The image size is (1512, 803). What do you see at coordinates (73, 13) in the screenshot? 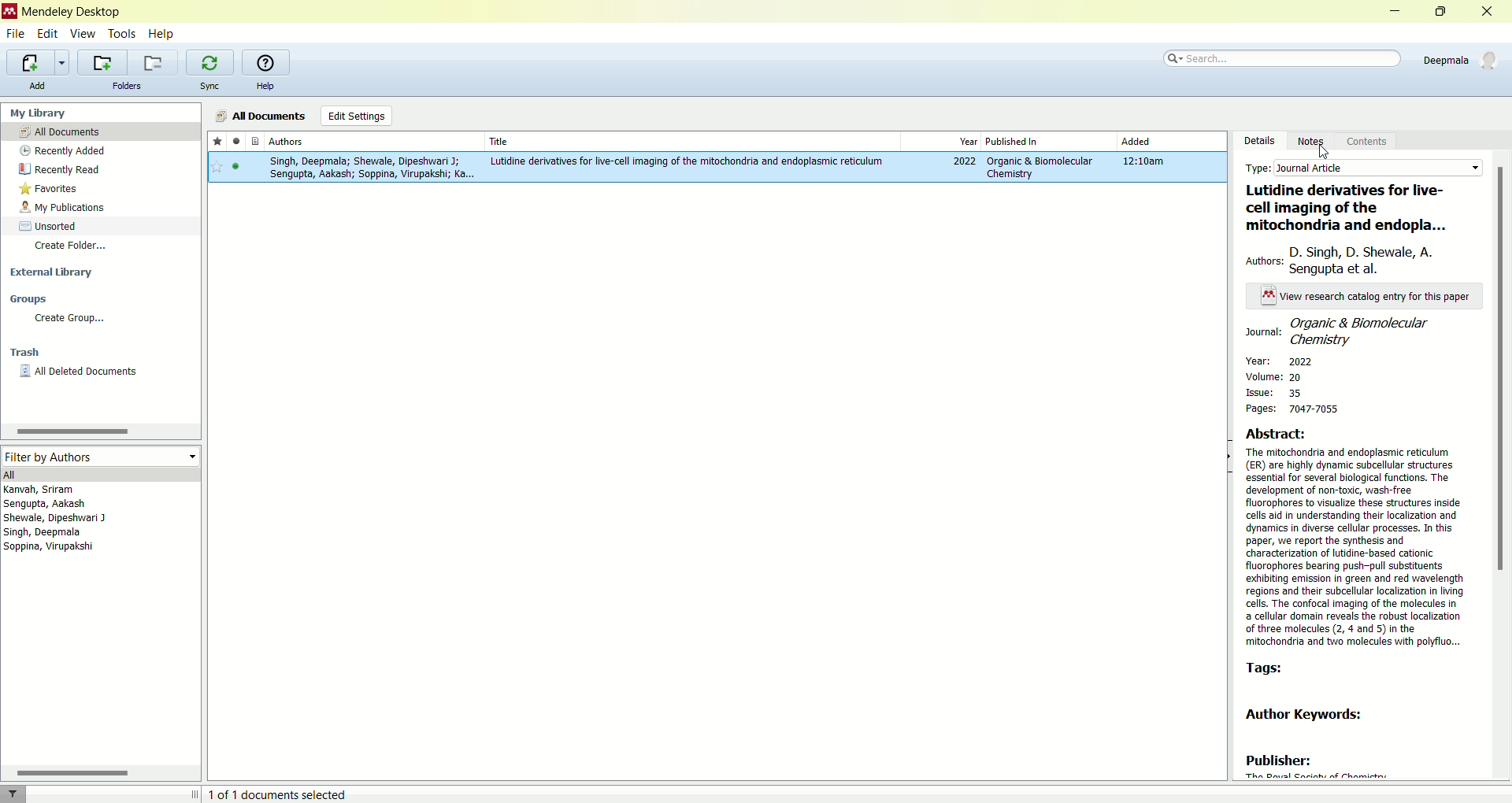
I see `Mendeley desktop` at bounding box center [73, 13].